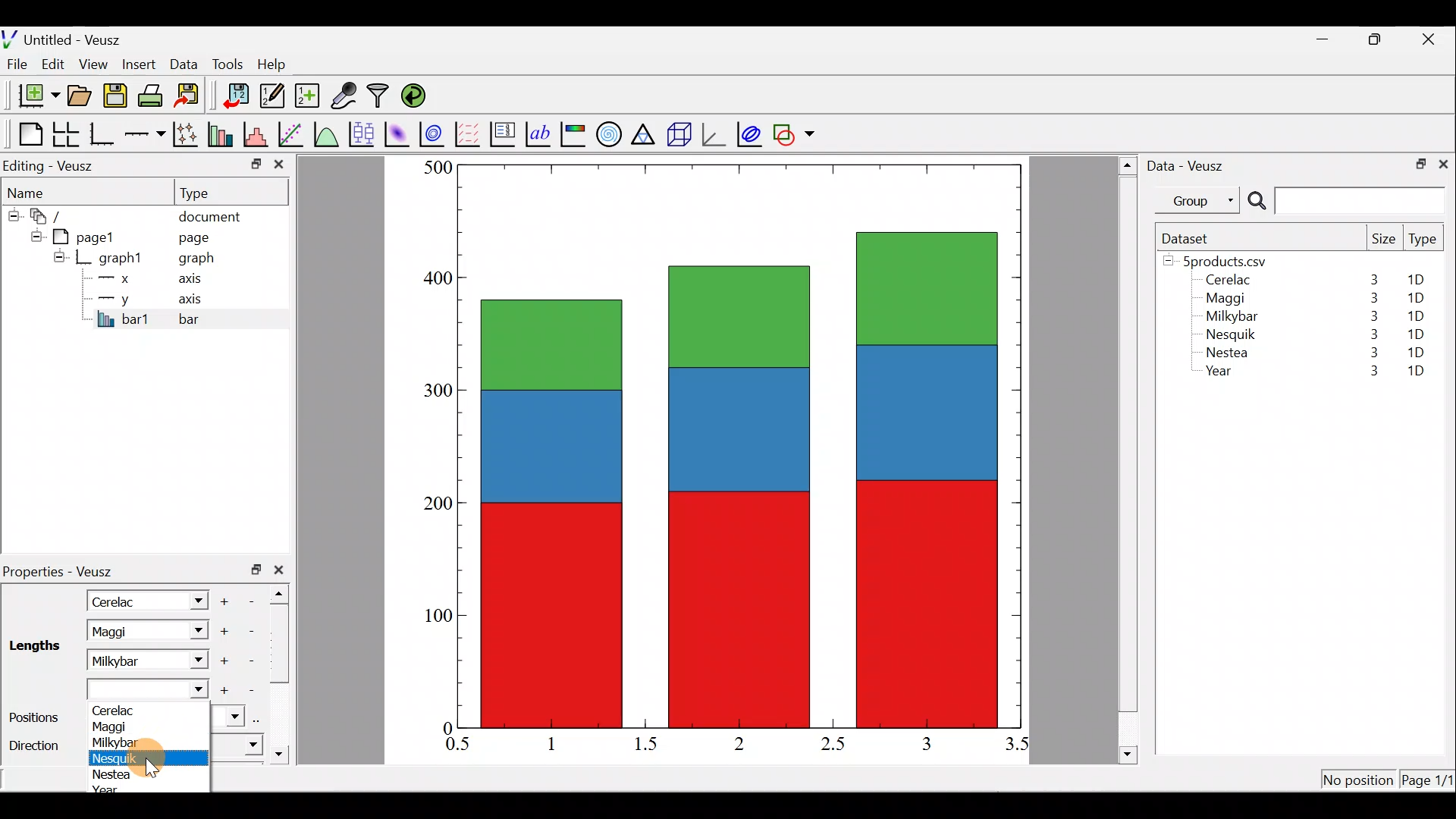  Describe the element at coordinates (381, 97) in the screenshot. I see `Filter data` at that location.